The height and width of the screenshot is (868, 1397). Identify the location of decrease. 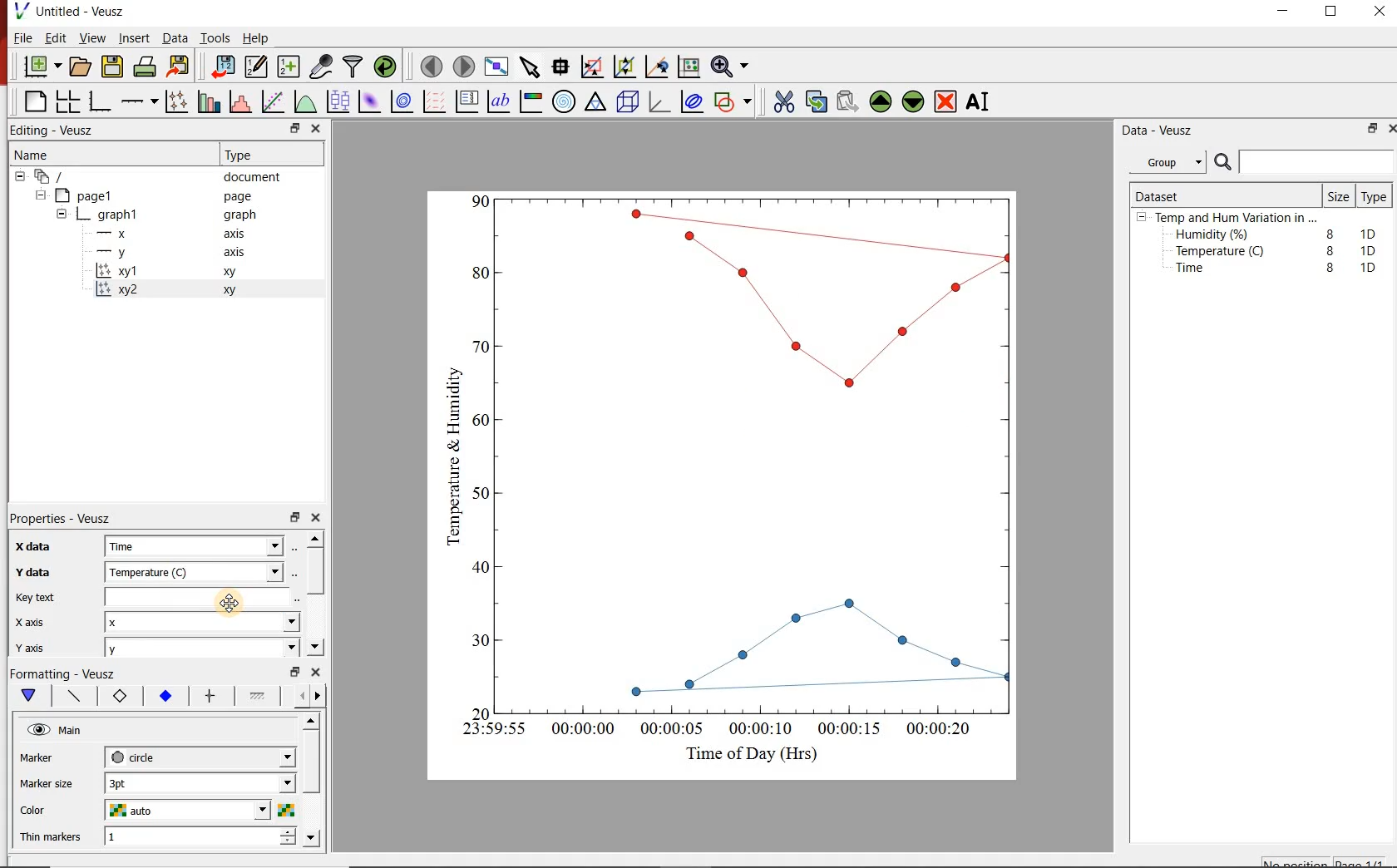
(287, 846).